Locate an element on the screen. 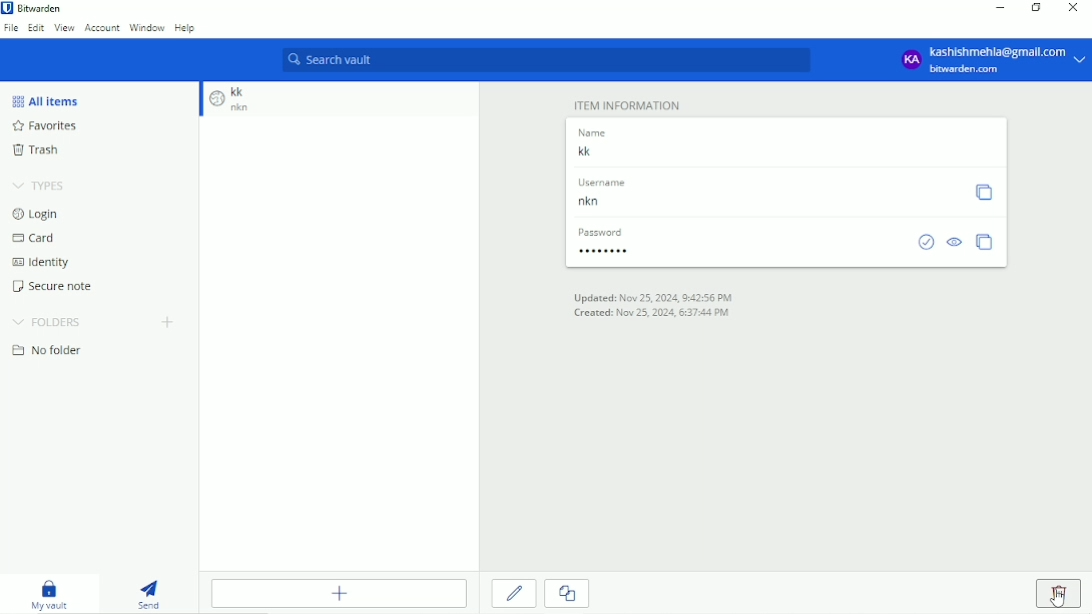 The image size is (1092, 614). Card is located at coordinates (35, 238).